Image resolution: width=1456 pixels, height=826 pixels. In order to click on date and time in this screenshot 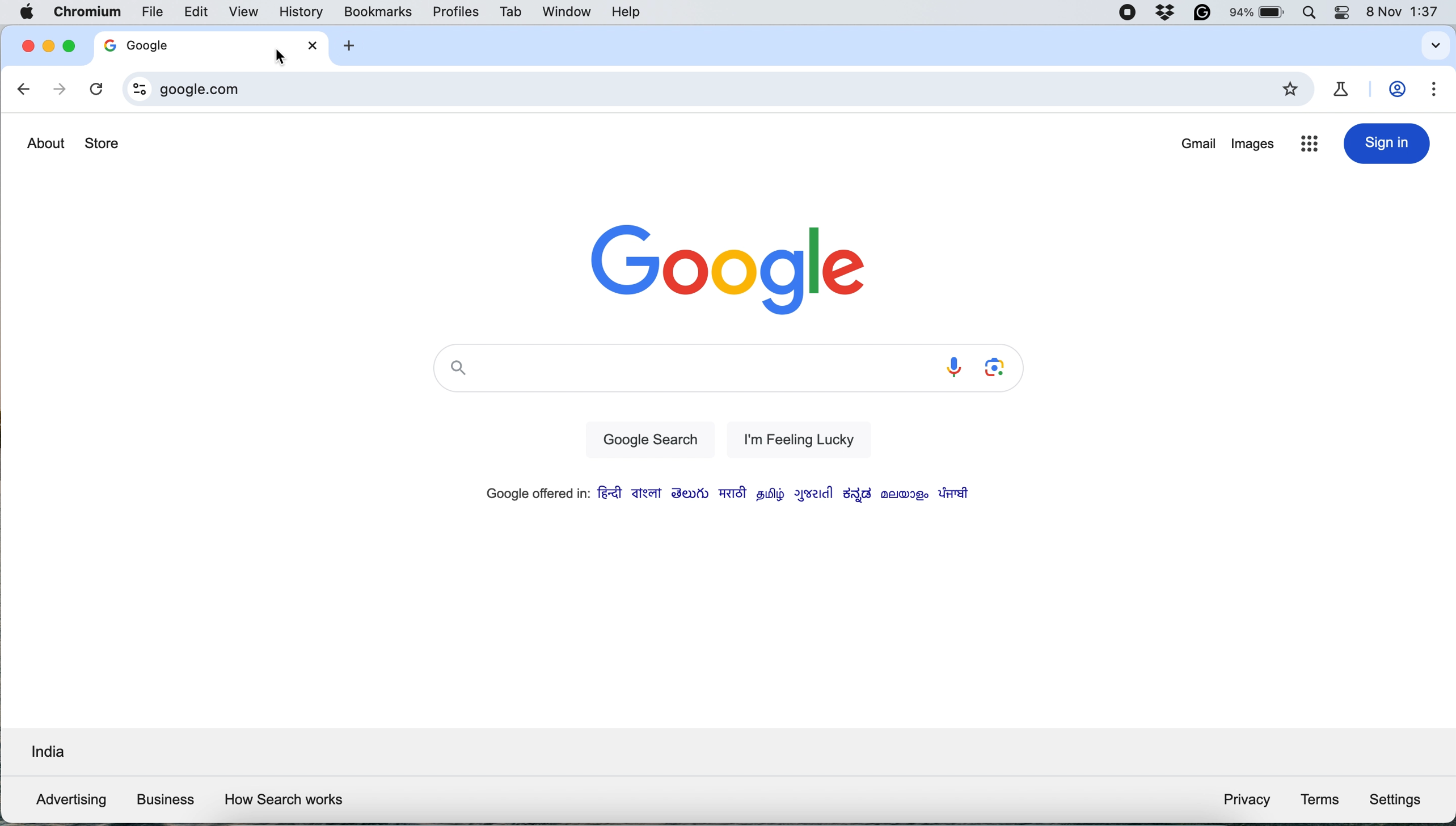, I will do `click(1407, 12)`.